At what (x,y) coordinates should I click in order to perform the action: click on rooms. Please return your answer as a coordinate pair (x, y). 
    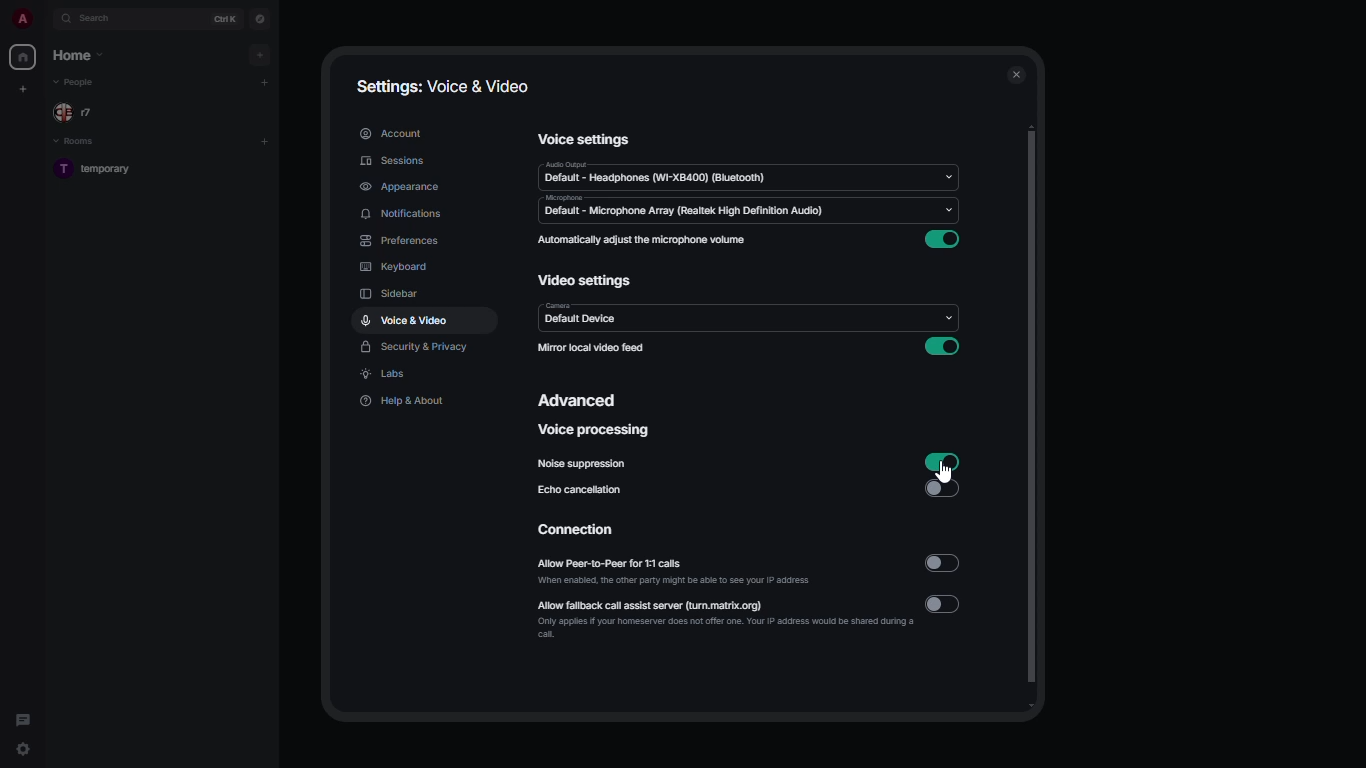
    Looking at the image, I should click on (77, 142).